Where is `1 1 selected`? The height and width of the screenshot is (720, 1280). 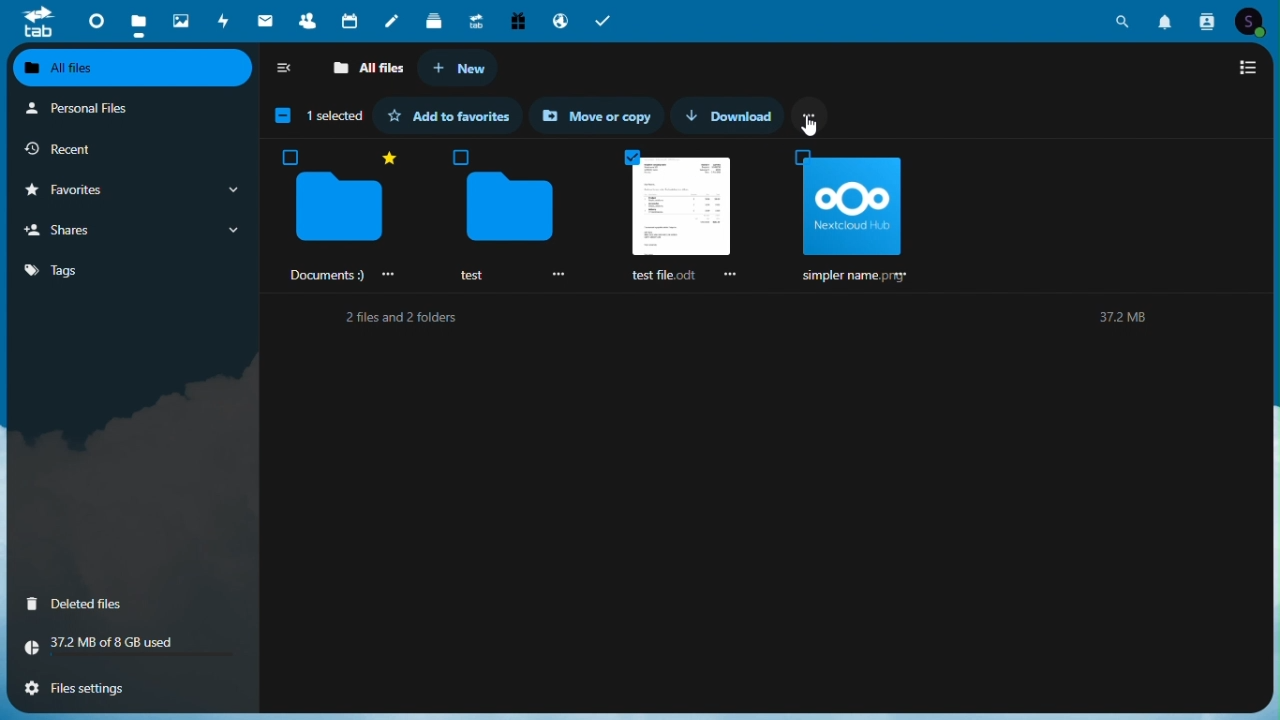
1 1 selected is located at coordinates (320, 119).